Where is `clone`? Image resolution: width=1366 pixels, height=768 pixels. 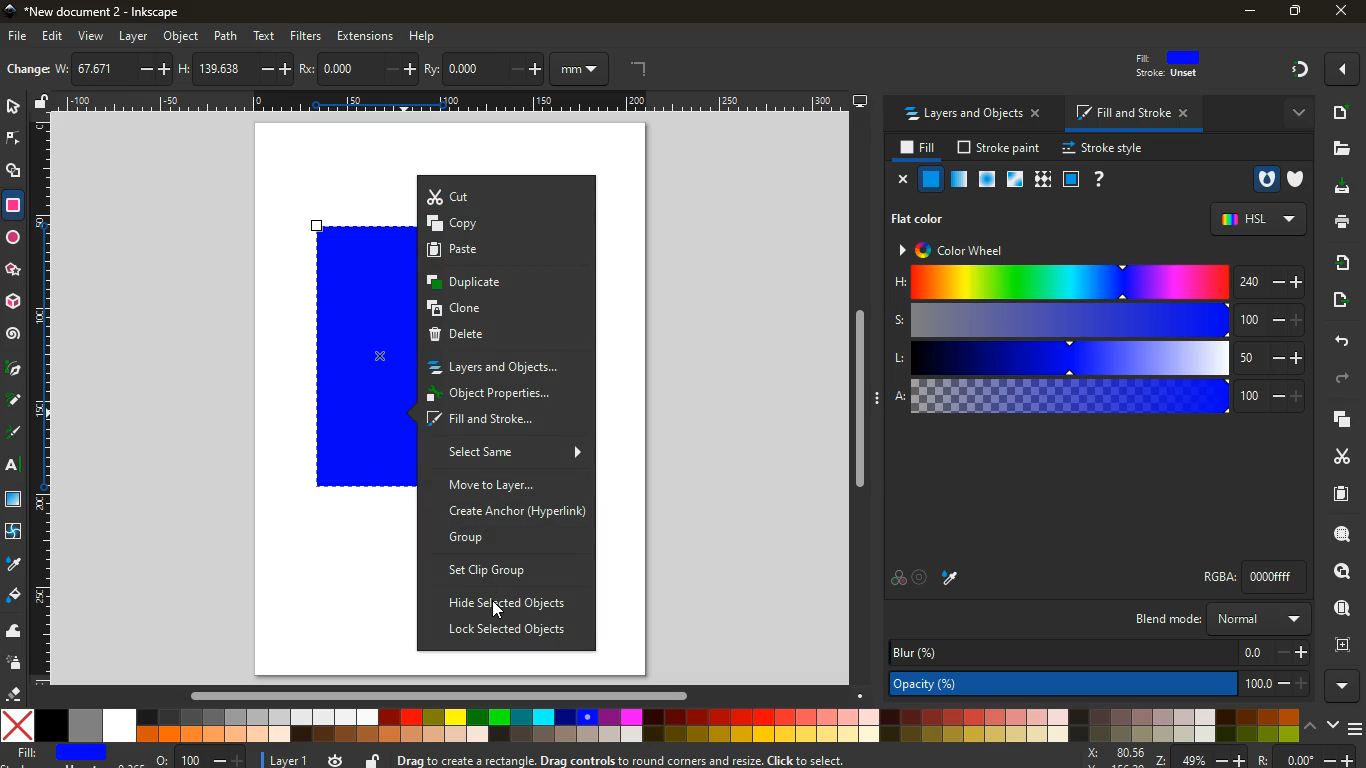 clone is located at coordinates (503, 310).